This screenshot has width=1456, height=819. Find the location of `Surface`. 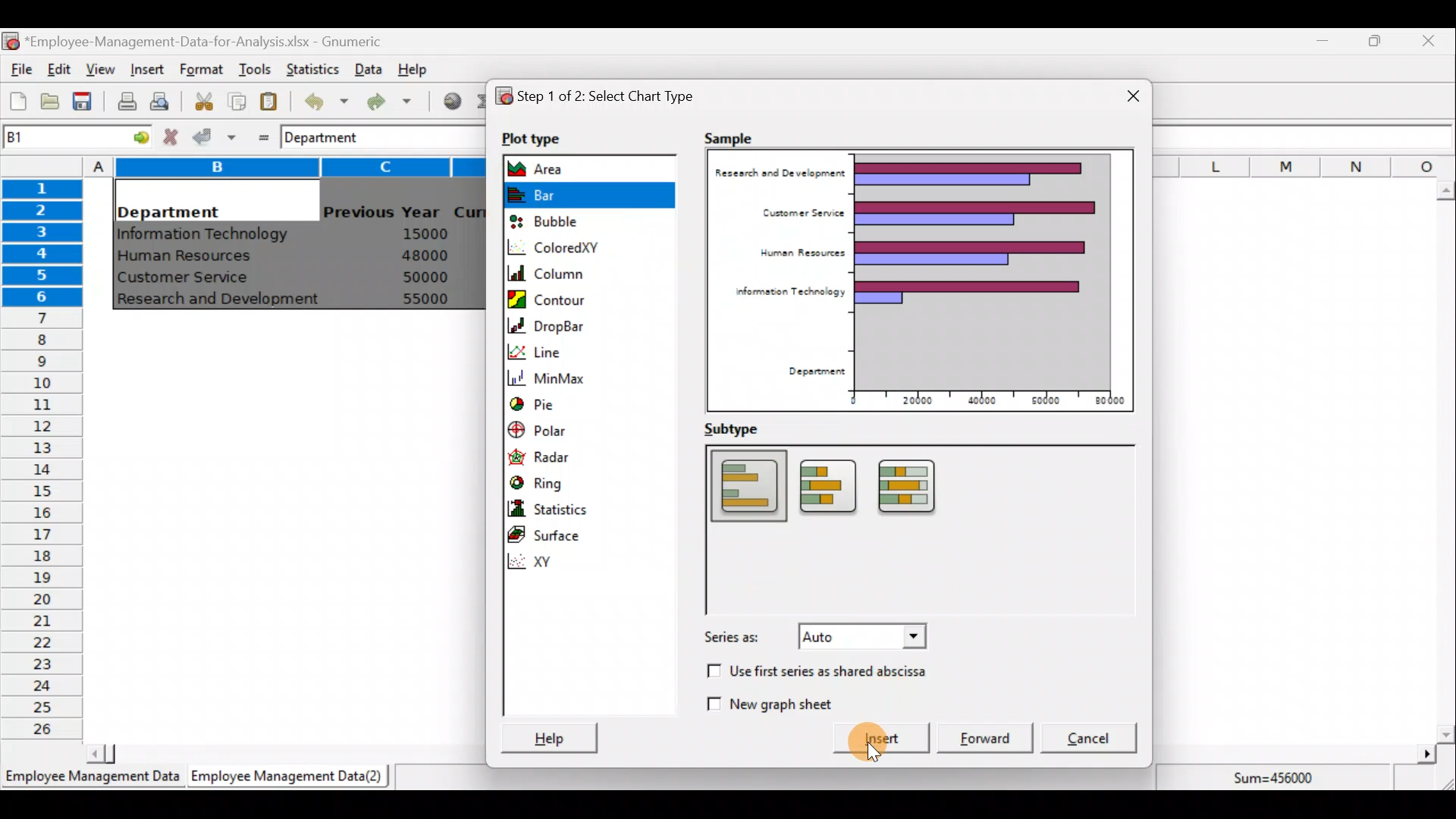

Surface is located at coordinates (560, 532).